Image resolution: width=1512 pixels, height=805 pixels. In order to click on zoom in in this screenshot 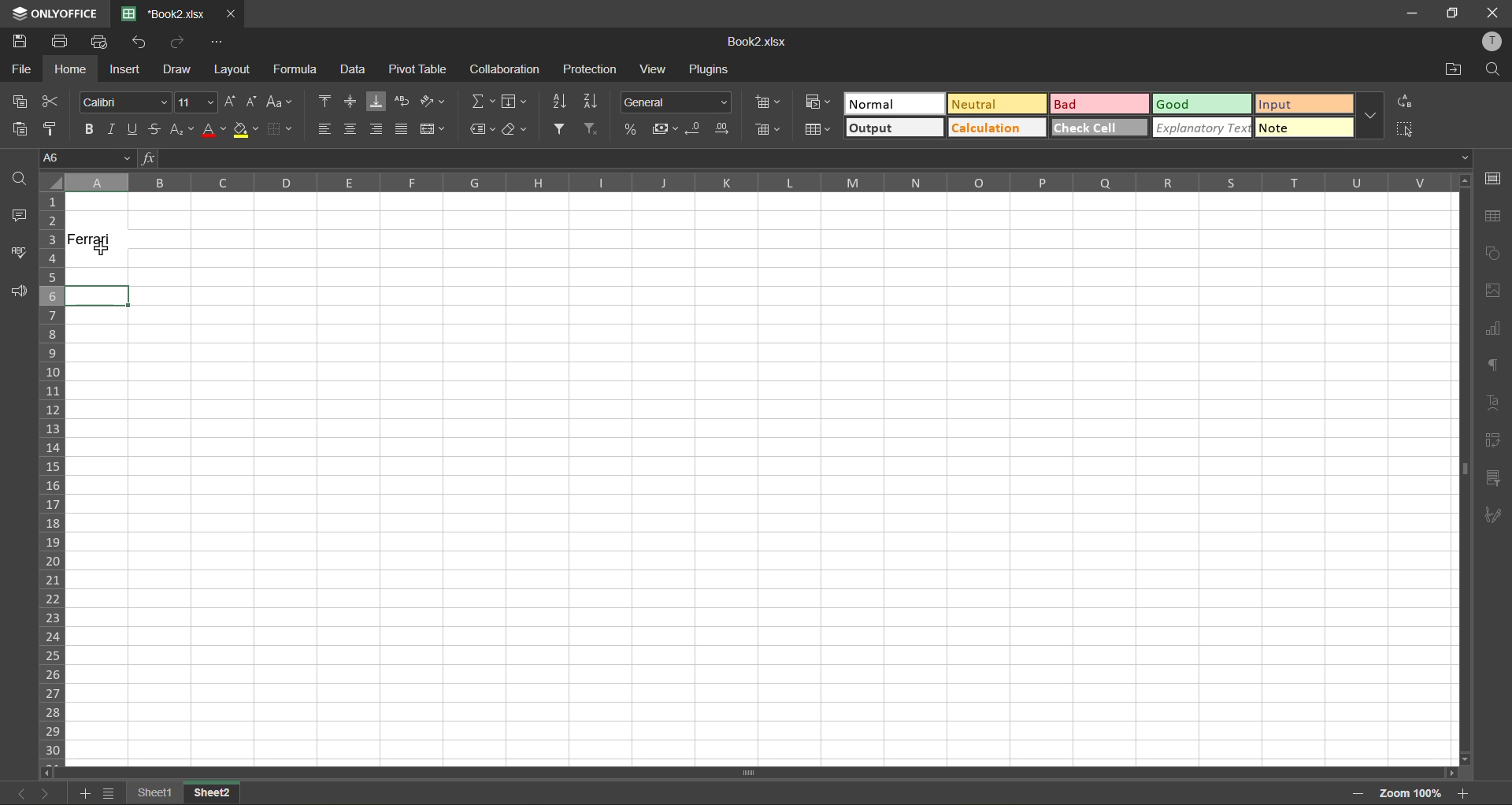, I will do `click(1458, 793)`.